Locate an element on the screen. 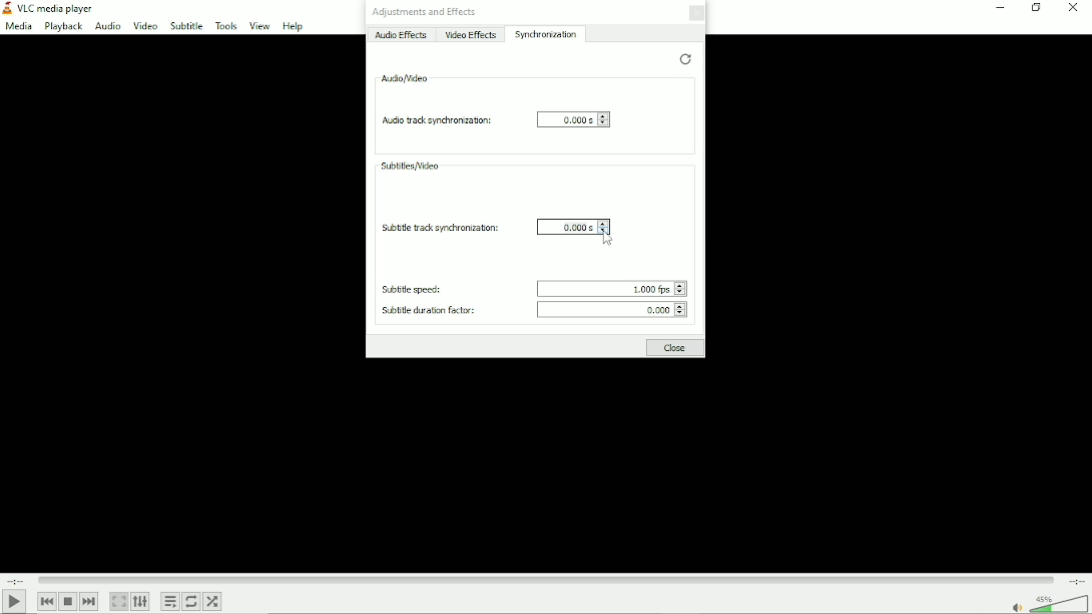 This screenshot has width=1092, height=614. Tools is located at coordinates (225, 25).